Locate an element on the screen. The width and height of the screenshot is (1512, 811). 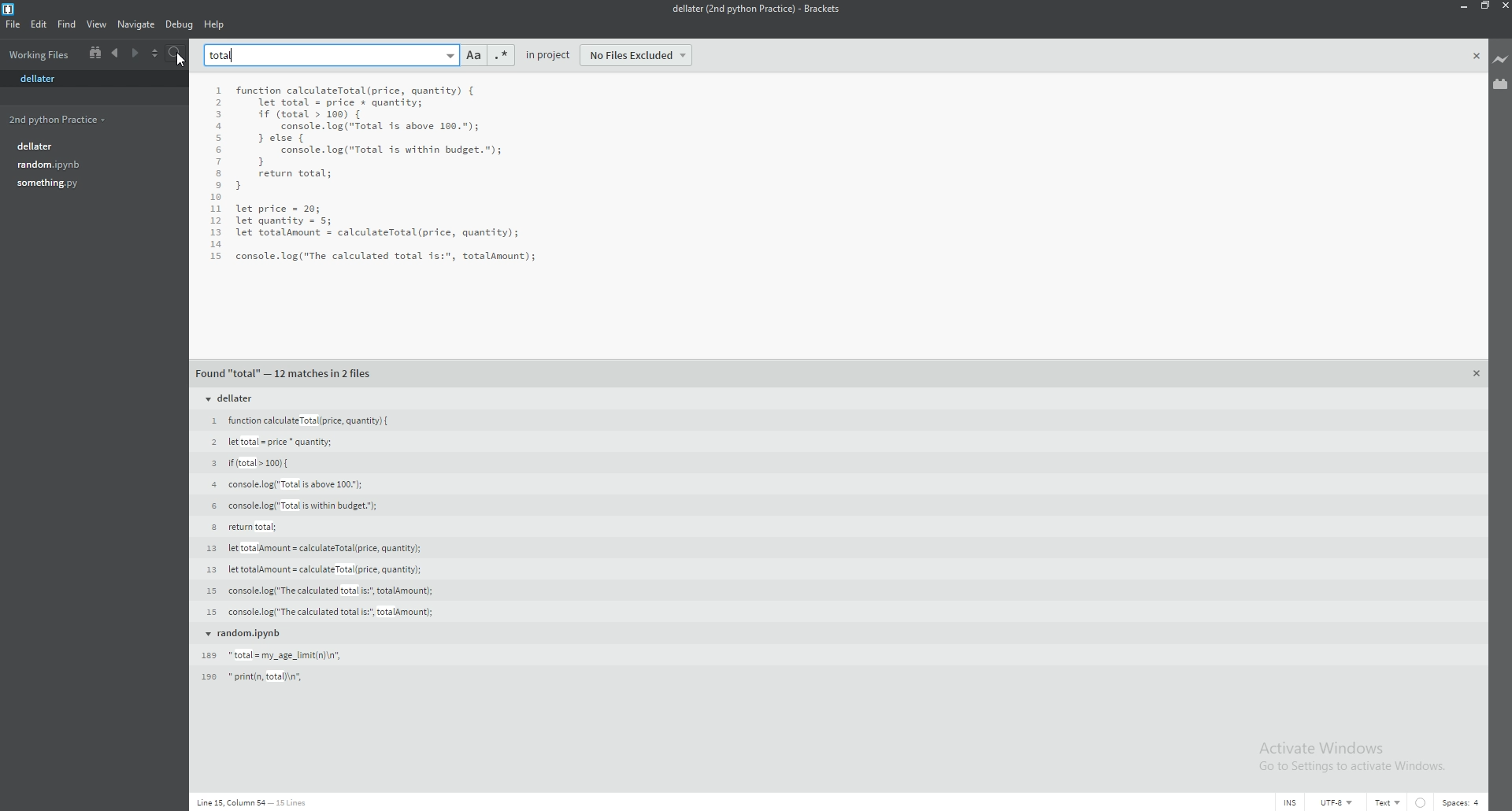
edit is located at coordinates (38, 24).